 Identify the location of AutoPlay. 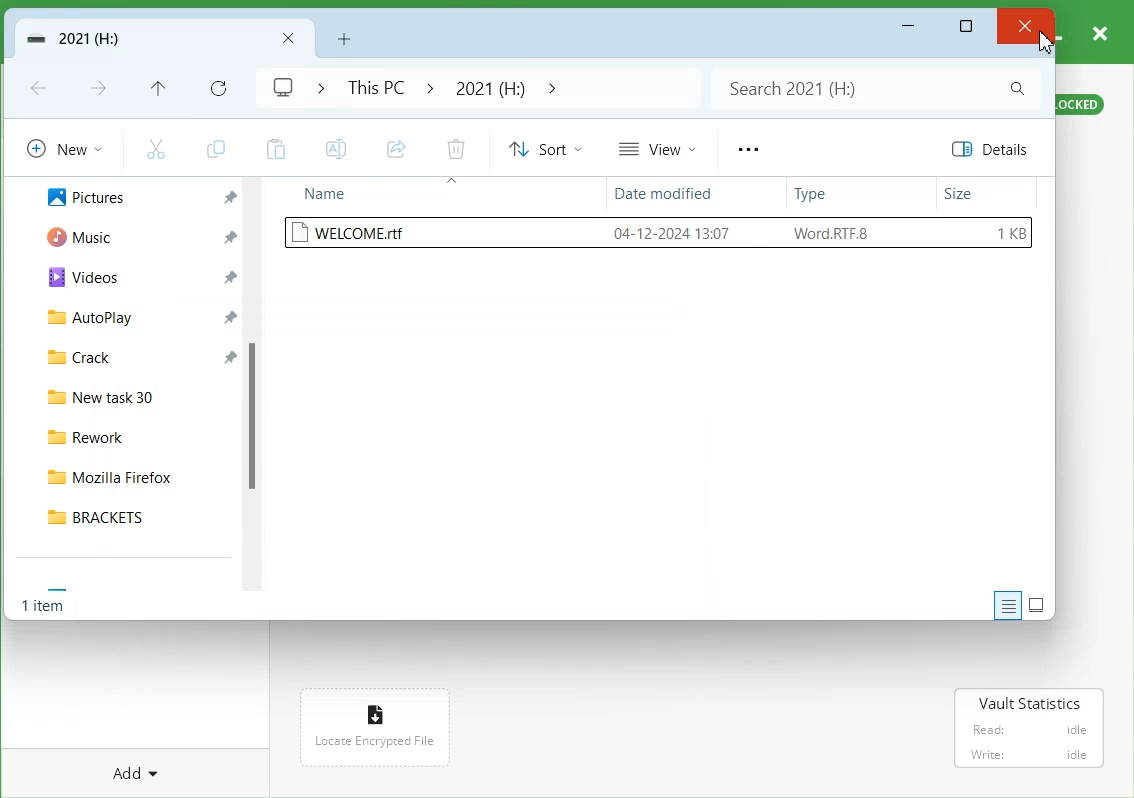
(91, 320).